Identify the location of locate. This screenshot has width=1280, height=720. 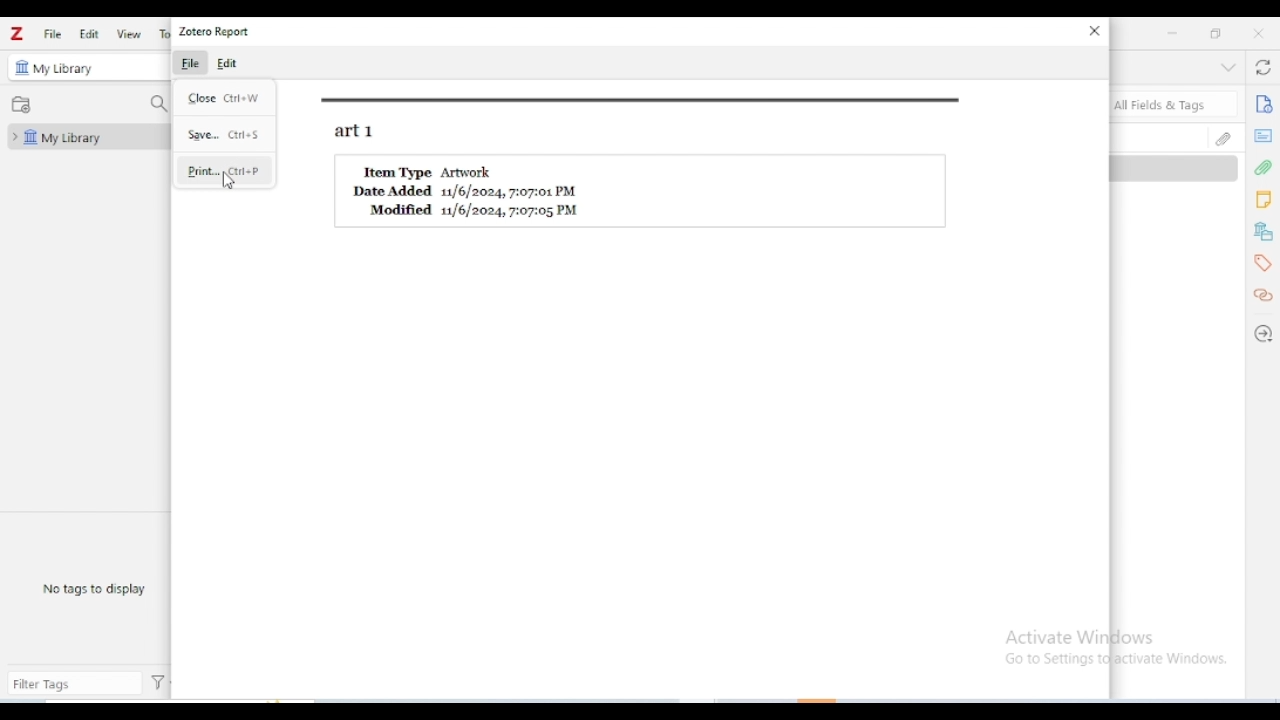
(1262, 336).